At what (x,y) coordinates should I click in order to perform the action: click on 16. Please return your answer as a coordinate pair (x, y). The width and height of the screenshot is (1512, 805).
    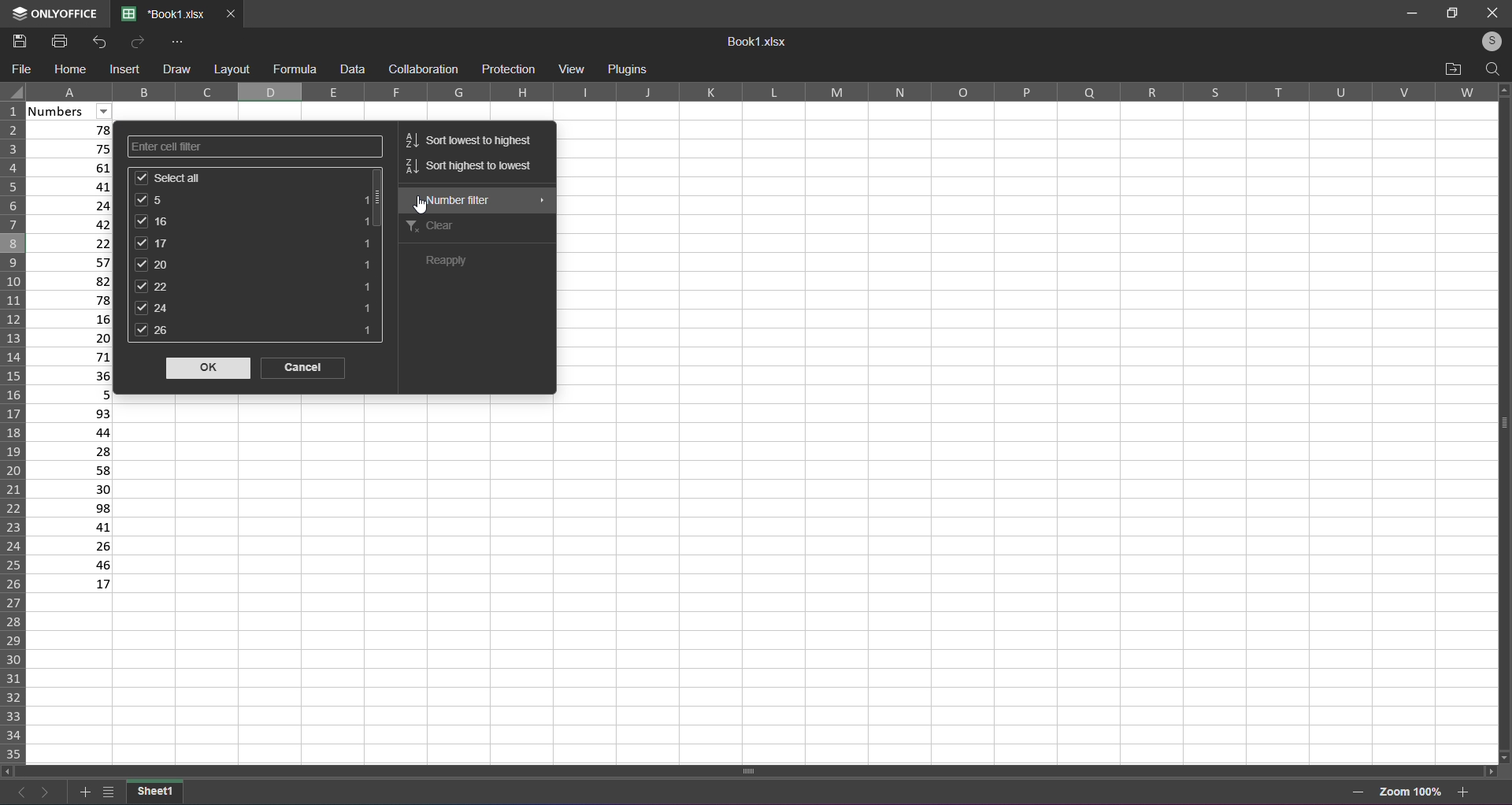
    Looking at the image, I should click on (254, 221).